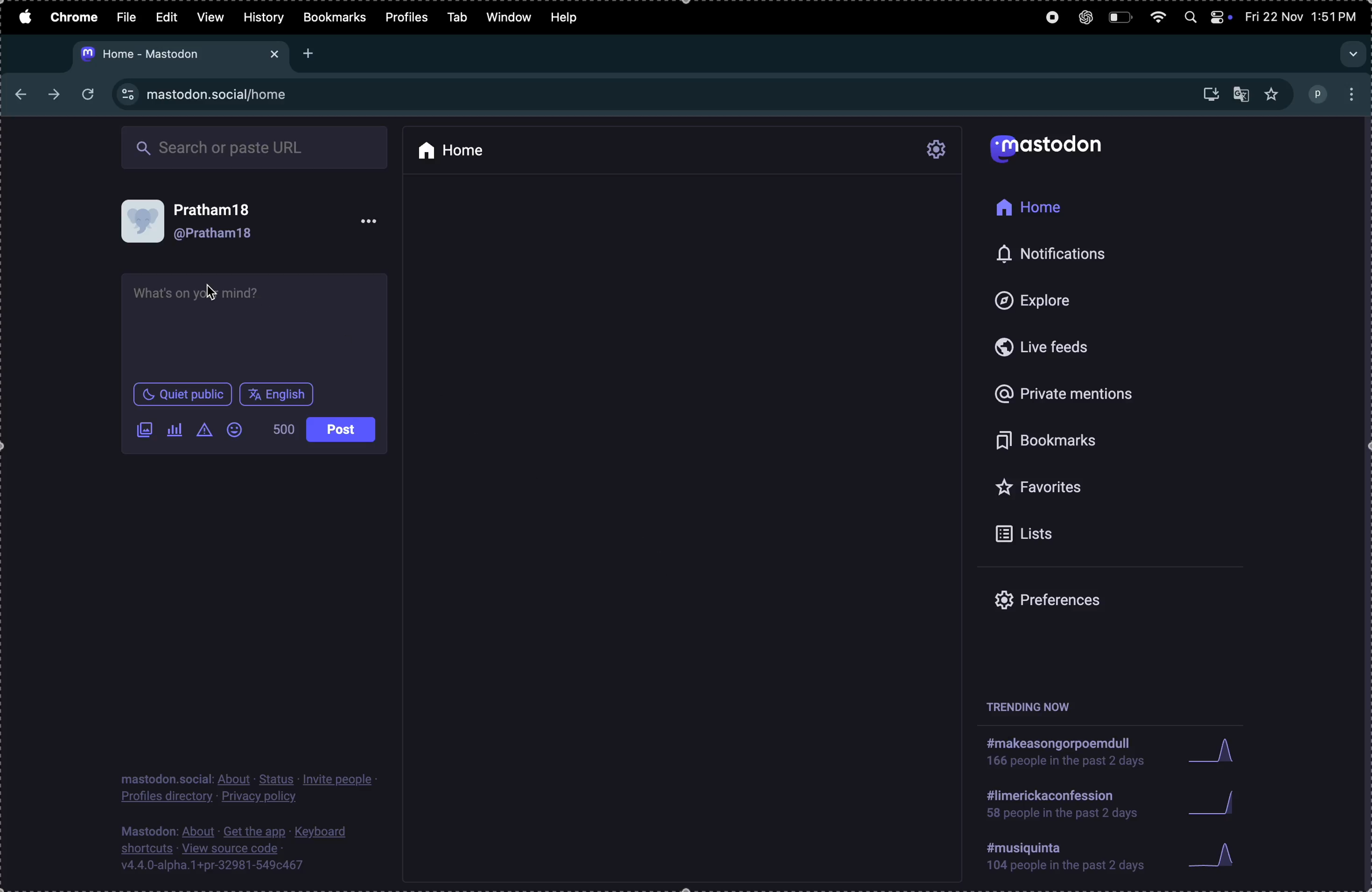 Image resolution: width=1372 pixels, height=892 pixels. Describe the element at coordinates (310, 55) in the screenshot. I see `New tab` at that location.